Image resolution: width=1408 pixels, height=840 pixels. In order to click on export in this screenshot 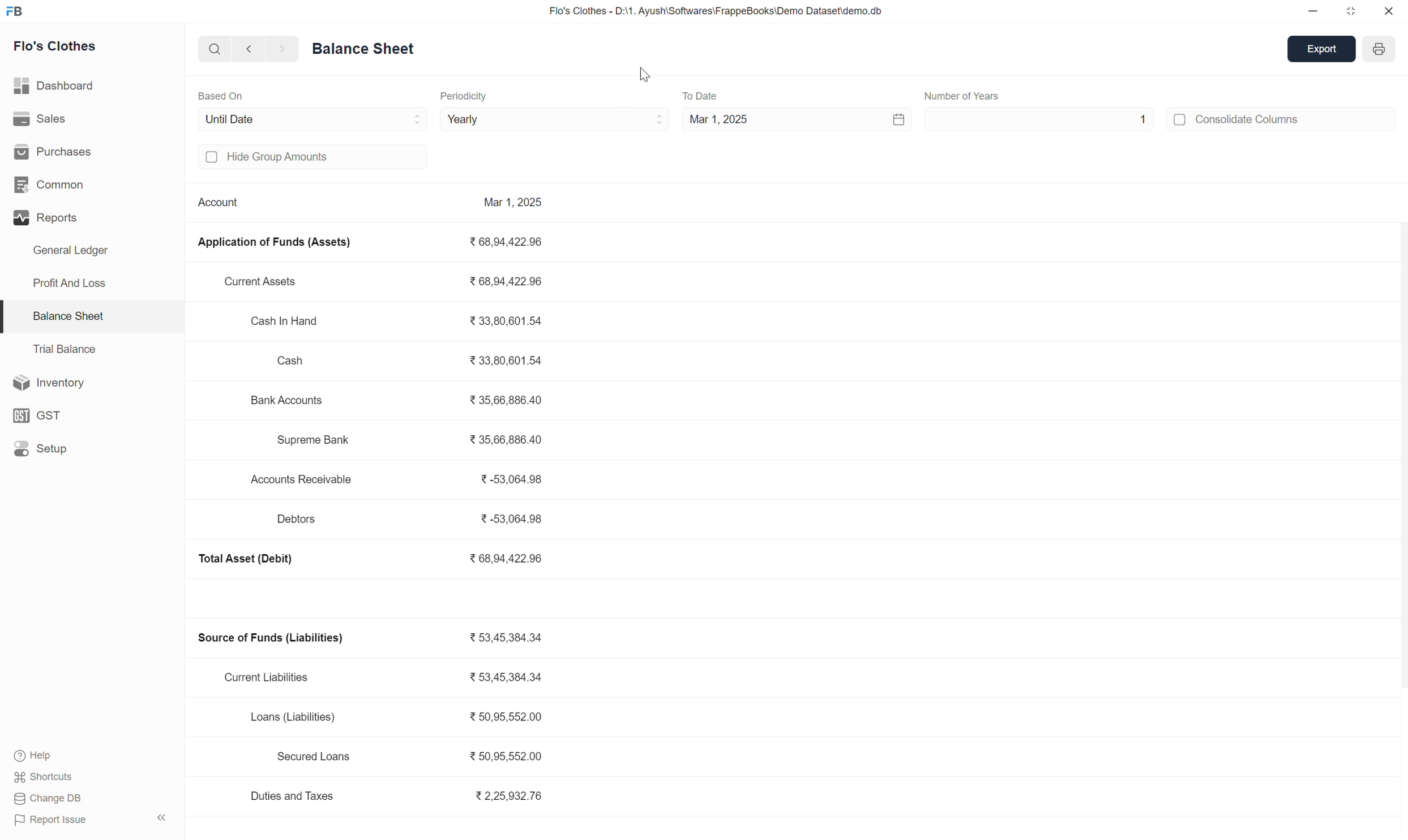, I will do `click(1321, 50)`.